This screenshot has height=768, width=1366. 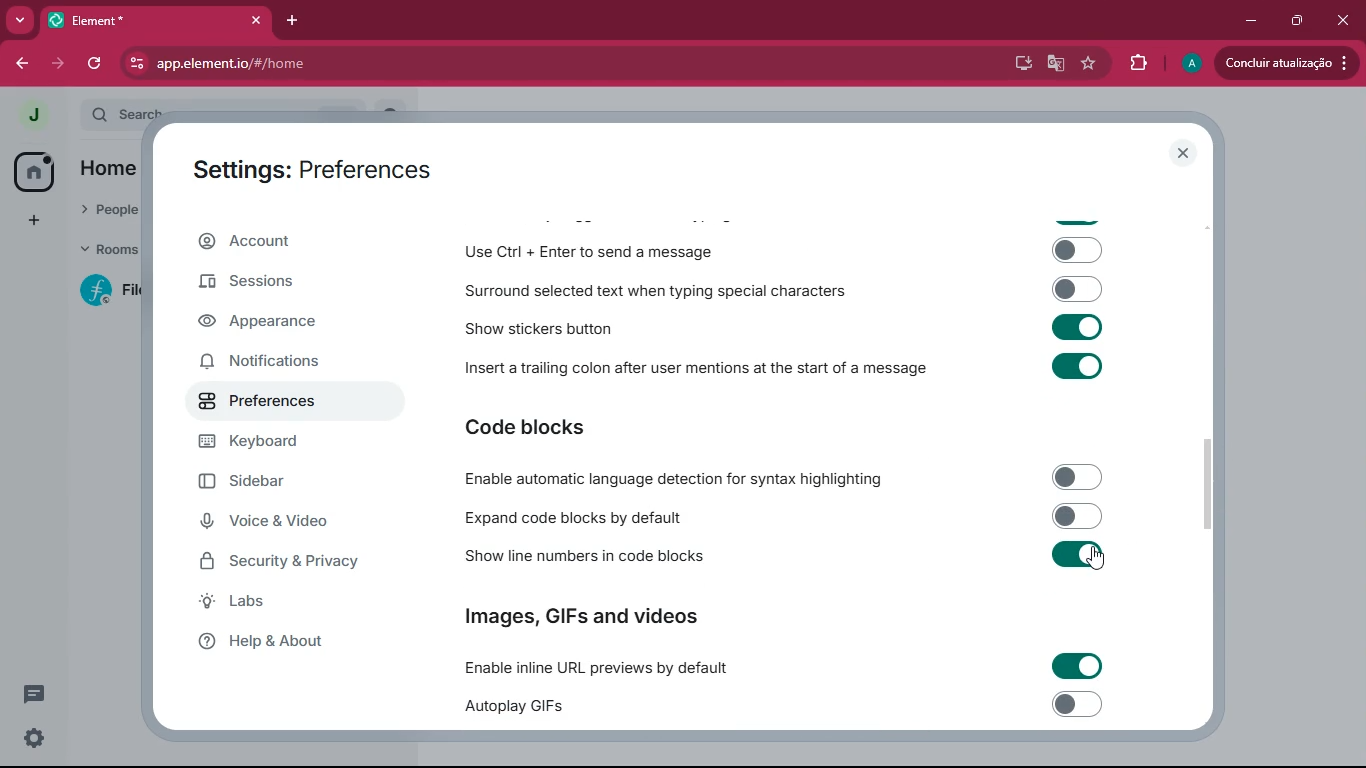 What do you see at coordinates (1189, 64) in the screenshot?
I see `profile` at bounding box center [1189, 64].